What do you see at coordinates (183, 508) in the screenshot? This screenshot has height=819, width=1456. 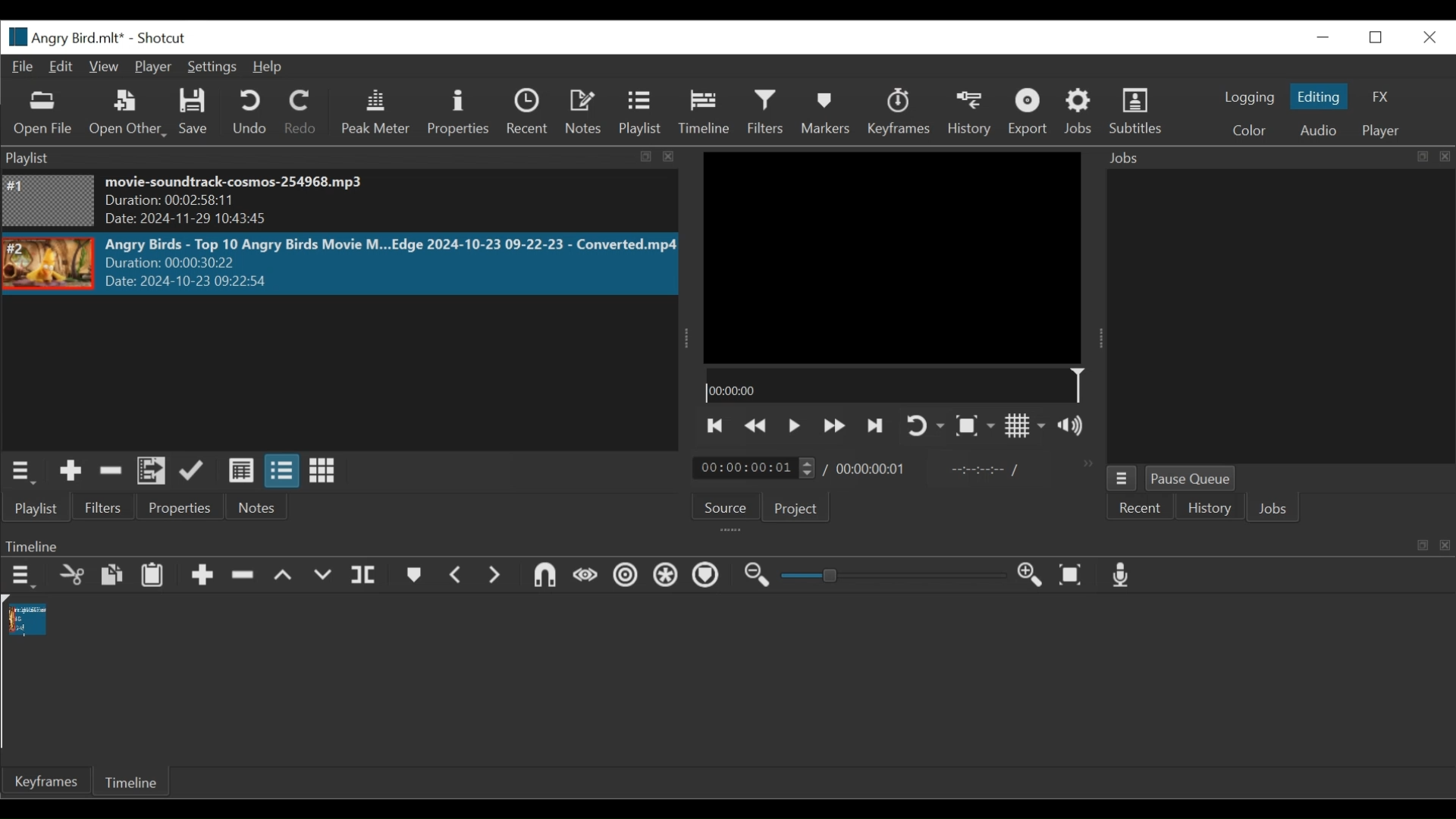 I see `Properties` at bounding box center [183, 508].